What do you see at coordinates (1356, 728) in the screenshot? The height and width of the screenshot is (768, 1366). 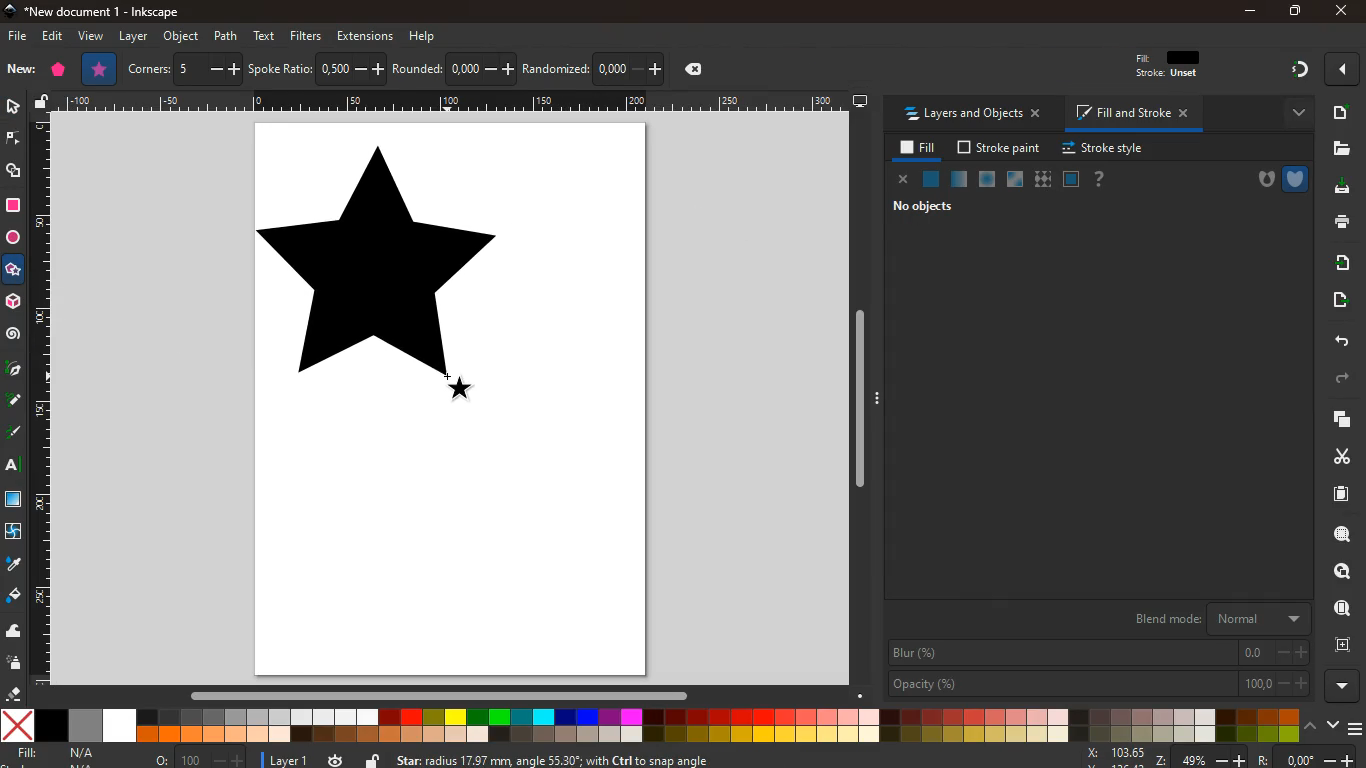 I see `menu` at bounding box center [1356, 728].